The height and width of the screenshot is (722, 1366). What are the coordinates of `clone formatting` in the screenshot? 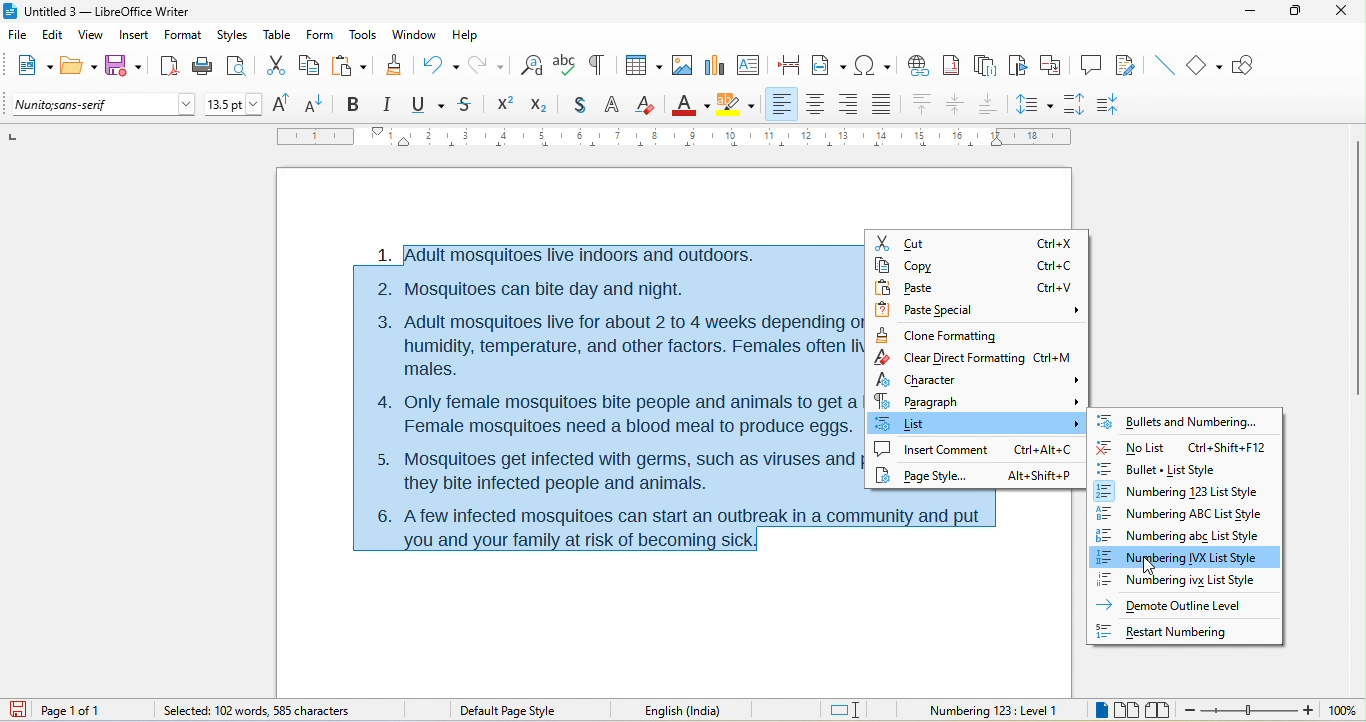 It's located at (939, 334).